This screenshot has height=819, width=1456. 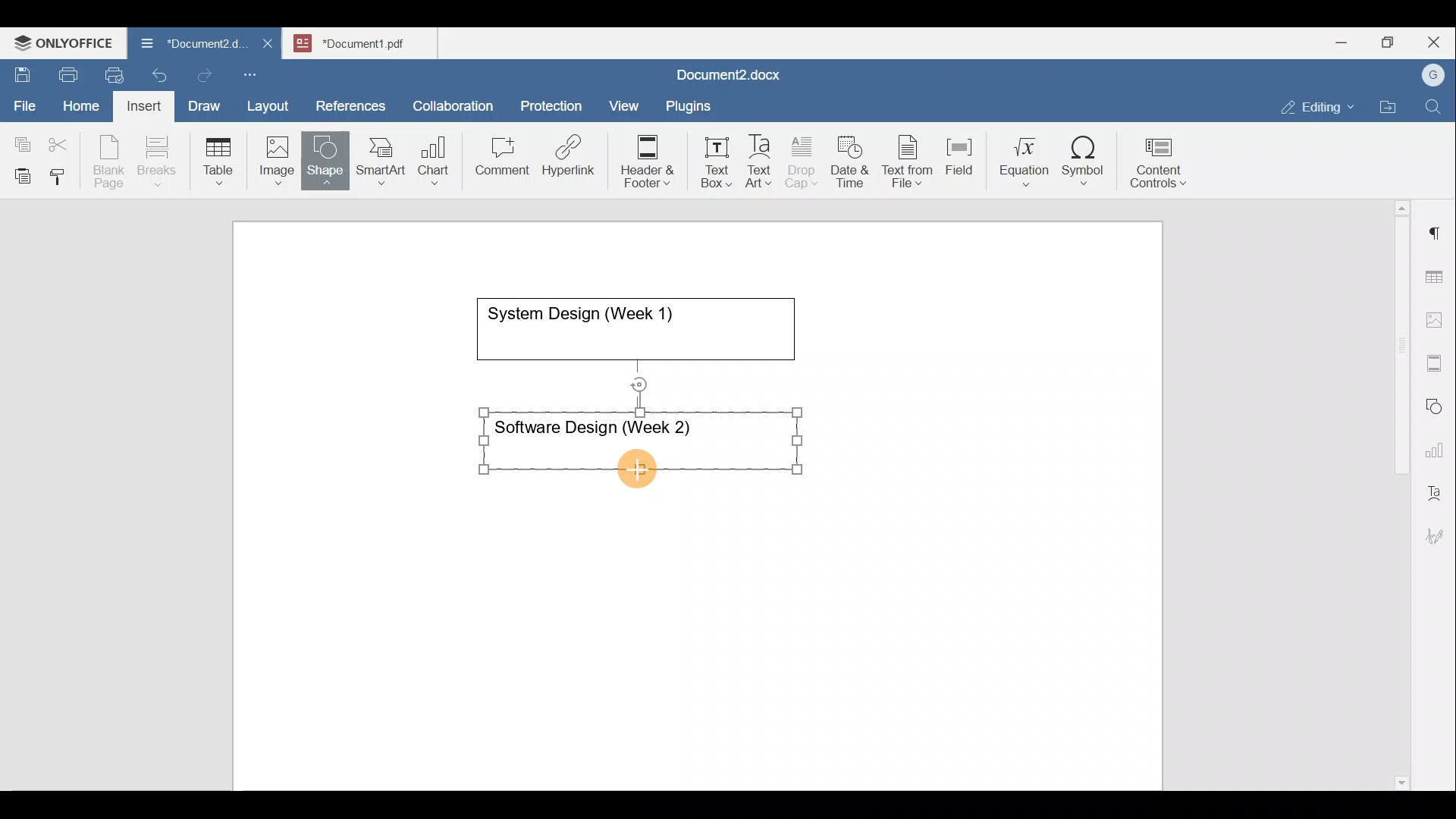 I want to click on Hyperlink, so click(x=573, y=160).